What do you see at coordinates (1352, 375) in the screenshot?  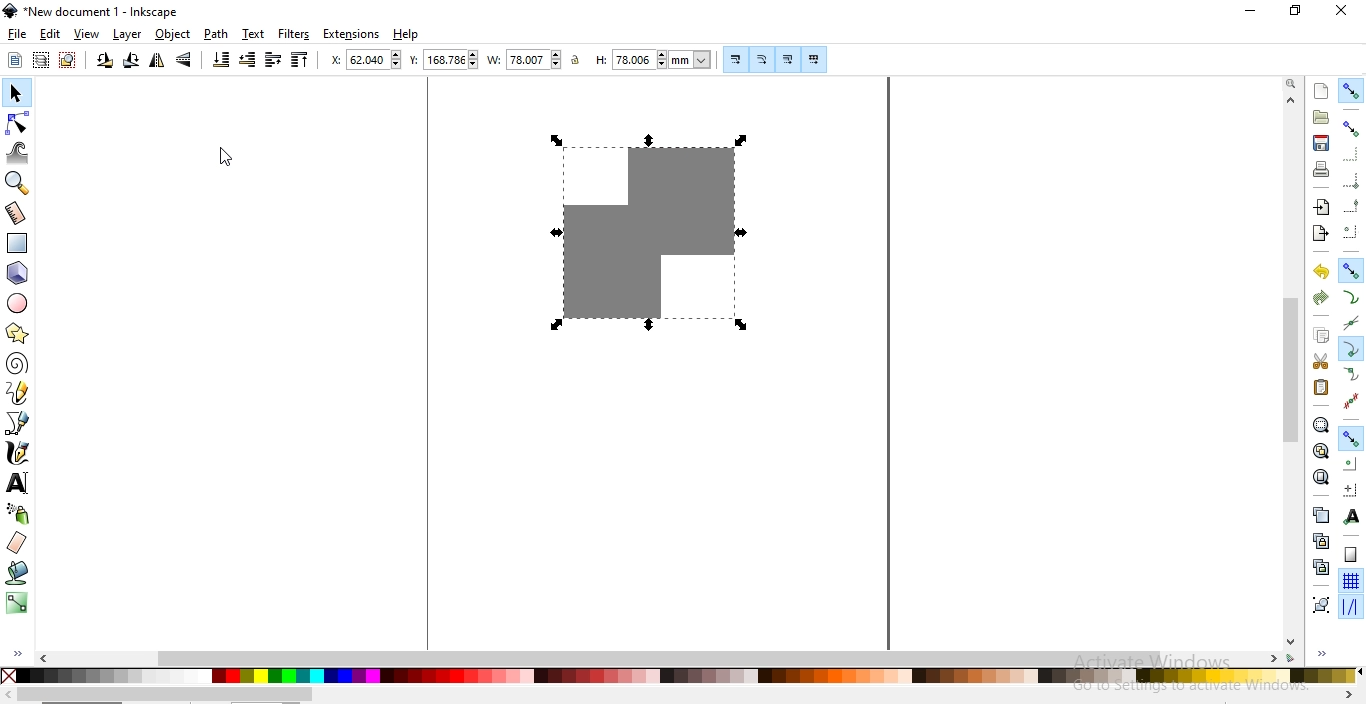 I see `snap smooth nodes` at bounding box center [1352, 375].